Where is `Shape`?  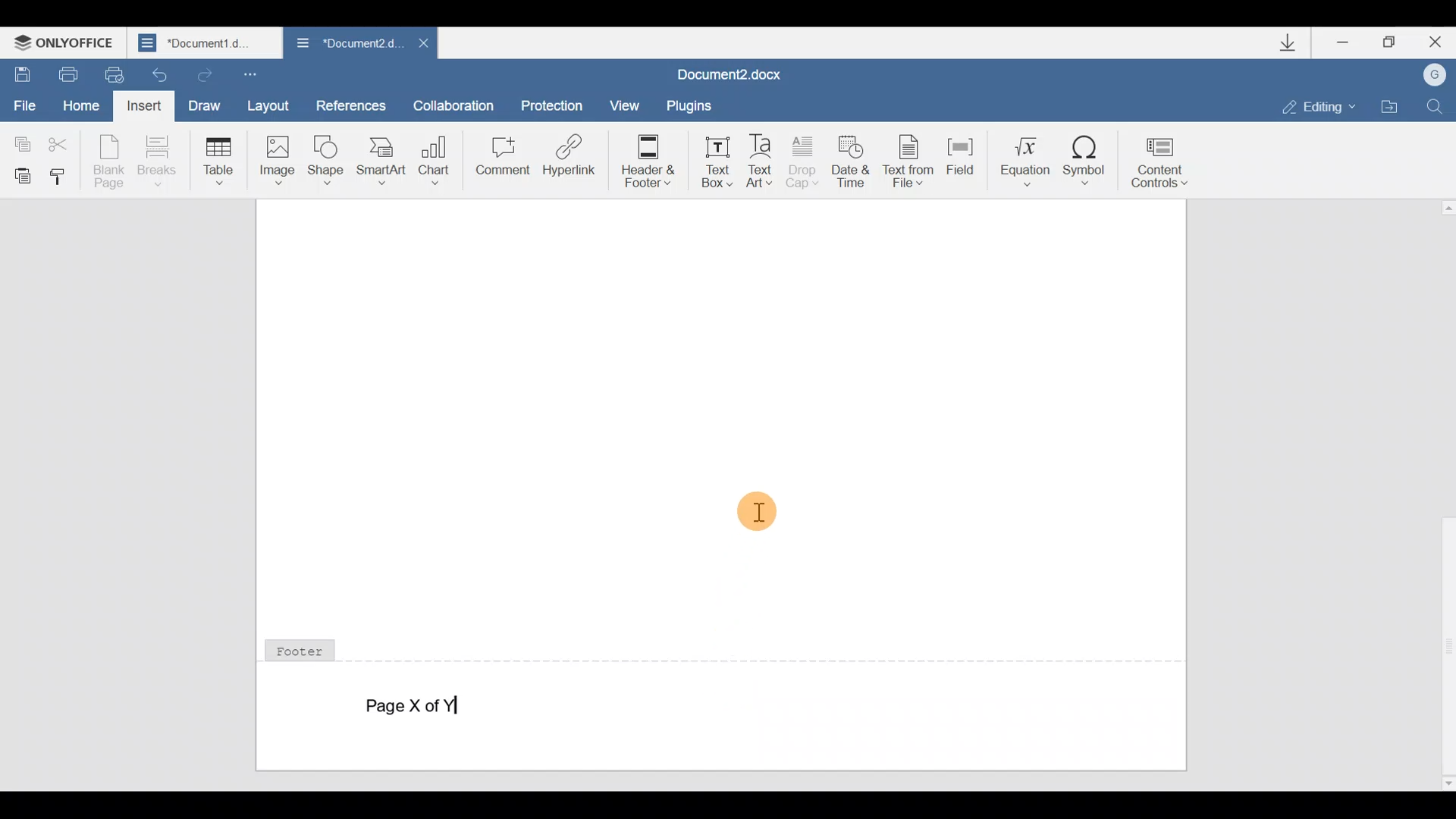
Shape is located at coordinates (328, 158).